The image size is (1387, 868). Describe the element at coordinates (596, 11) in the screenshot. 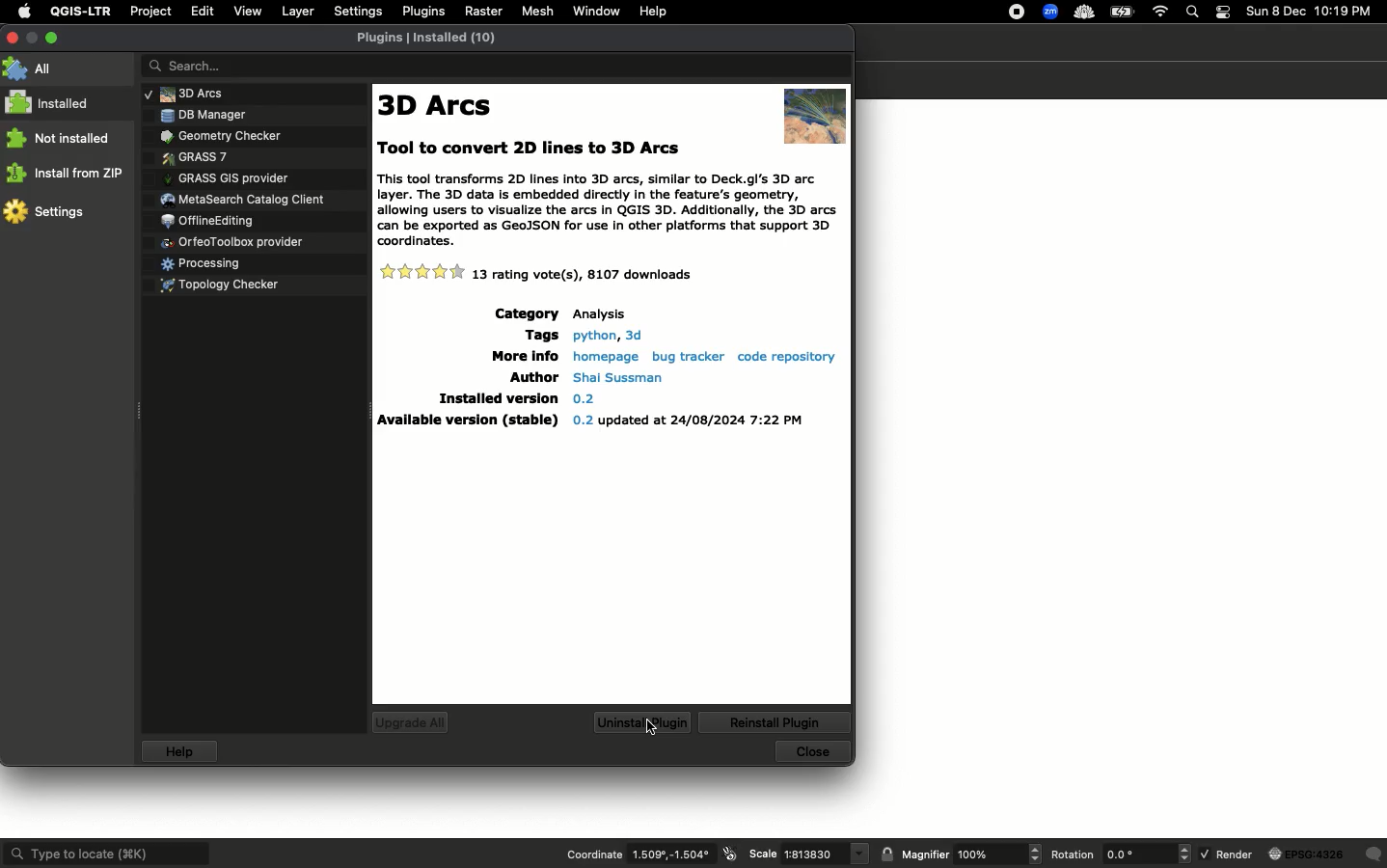

I see `Window` at that location.